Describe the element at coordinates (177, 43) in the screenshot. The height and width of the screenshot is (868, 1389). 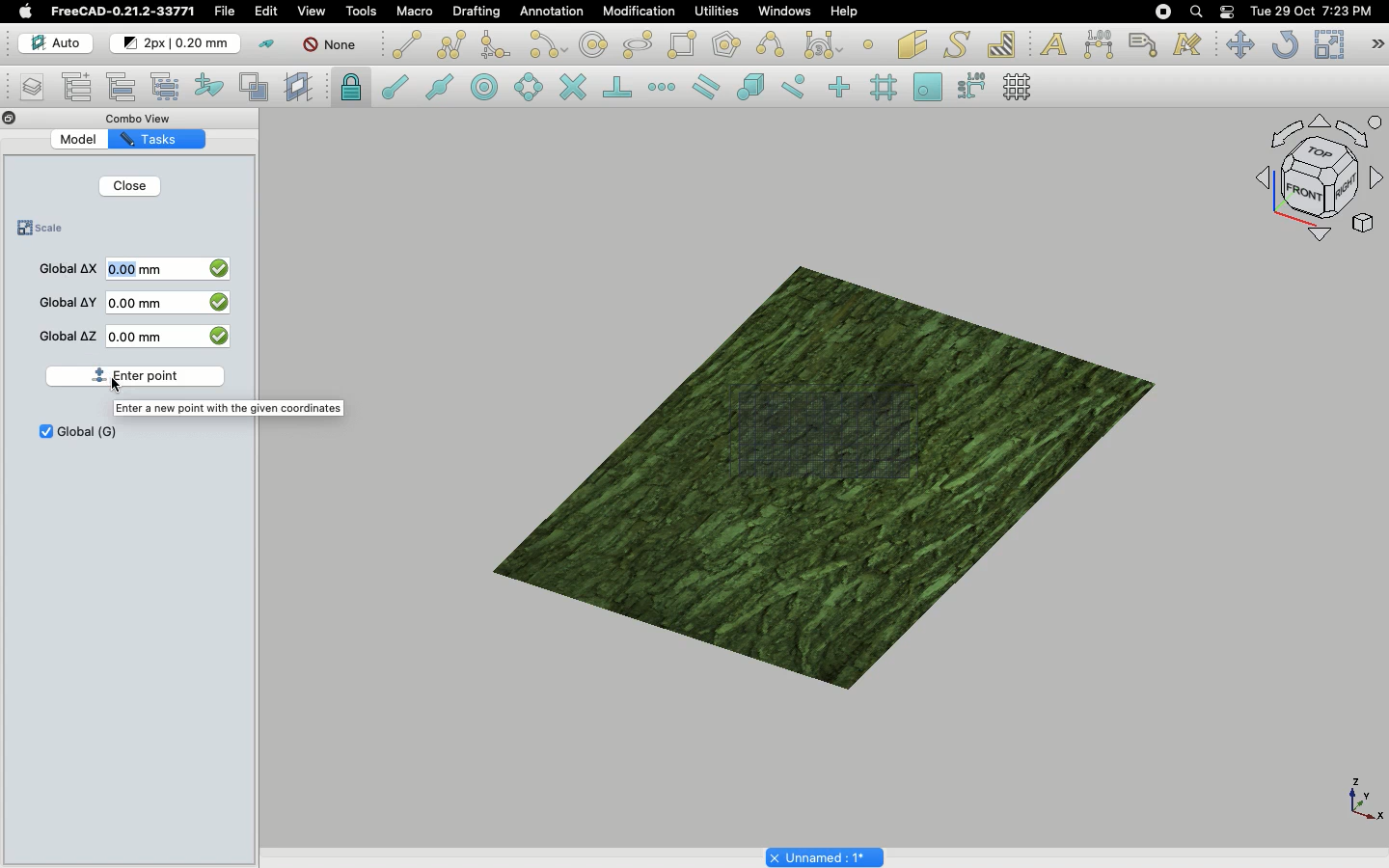
I see `Change default style for new objects` at that location.